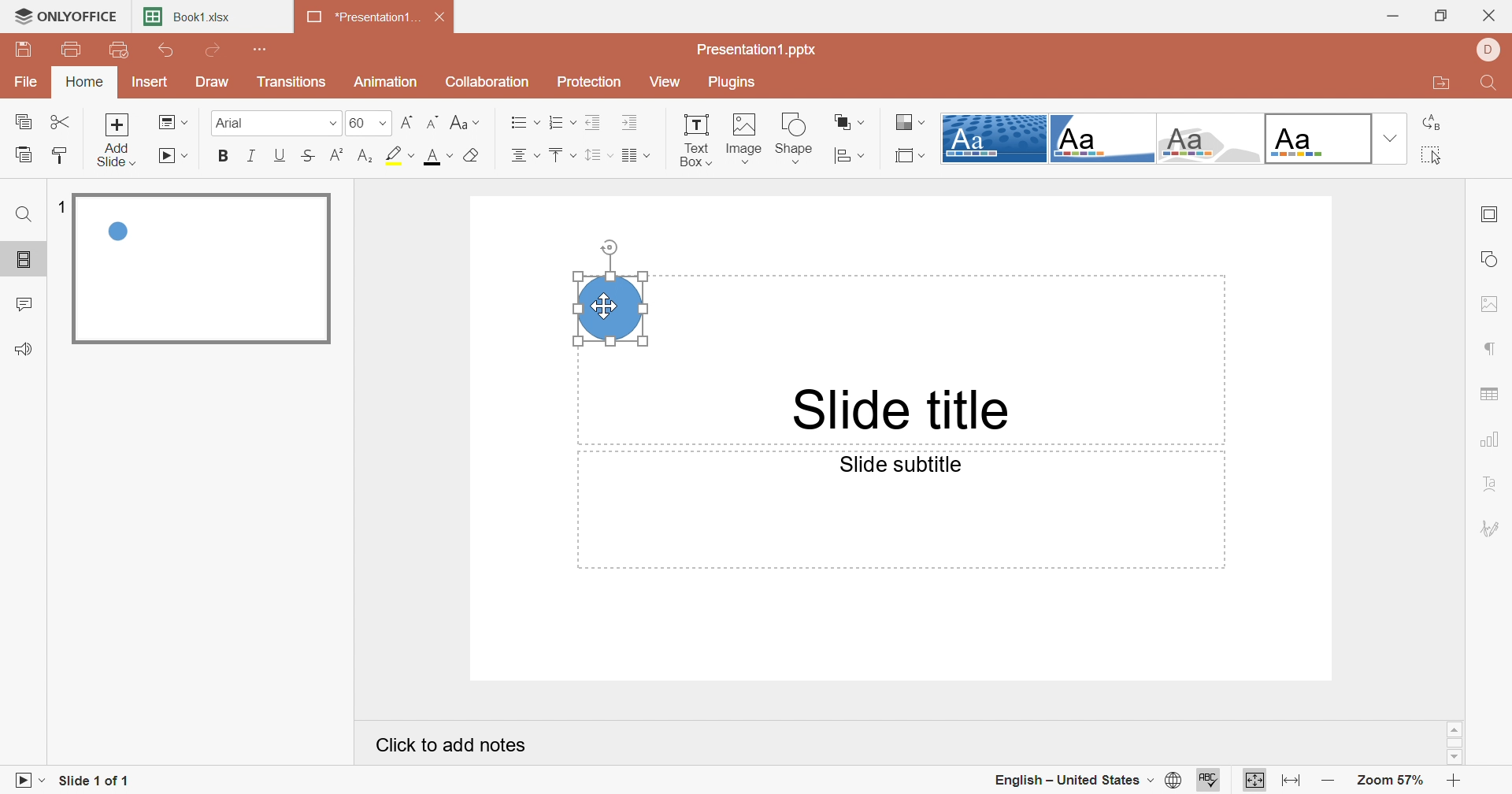 The height and width of the screenshot is (794, 1512). I want to click on Decrement font size, so click(435, 121).